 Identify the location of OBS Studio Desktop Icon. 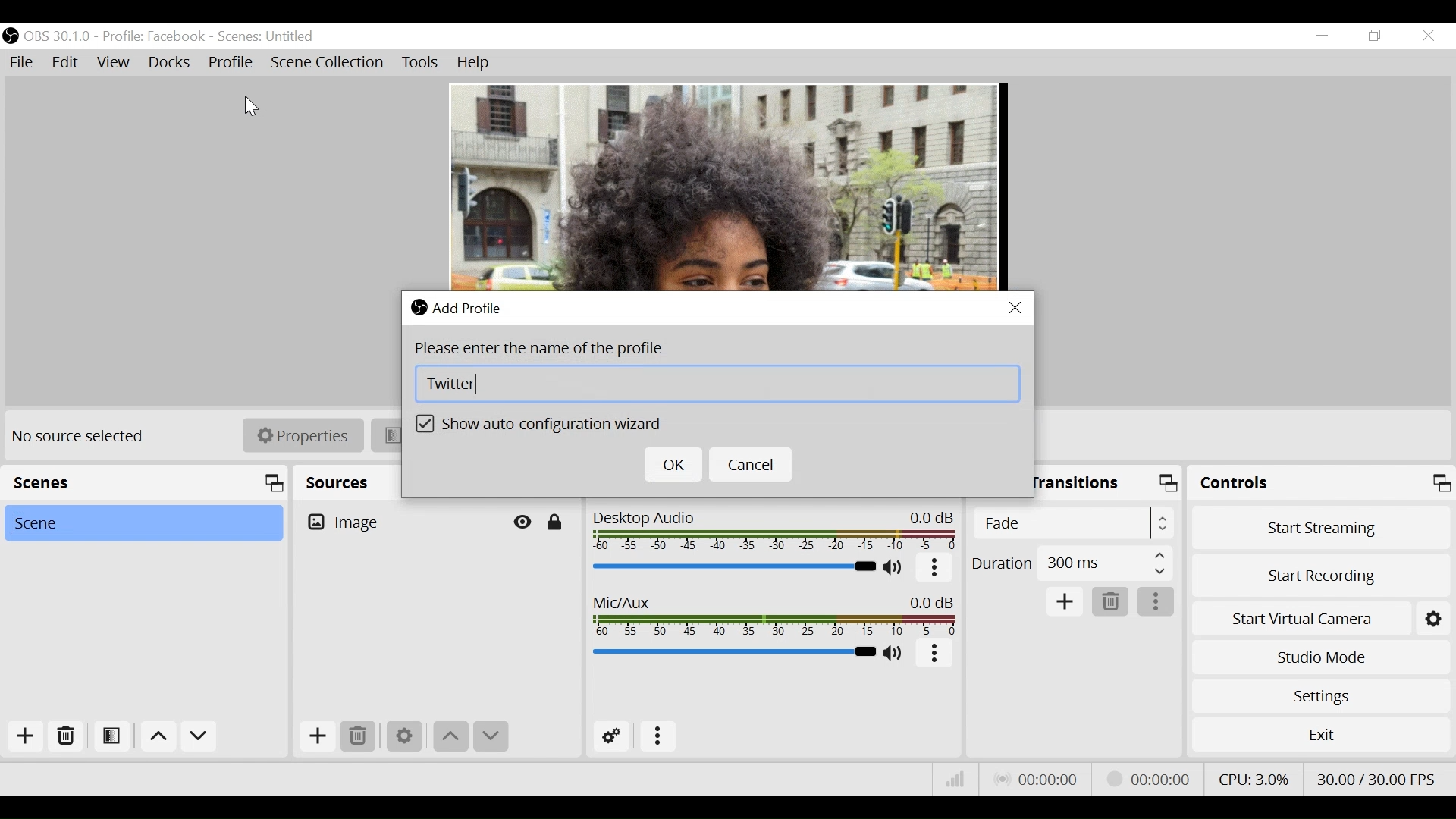
(11, 35).